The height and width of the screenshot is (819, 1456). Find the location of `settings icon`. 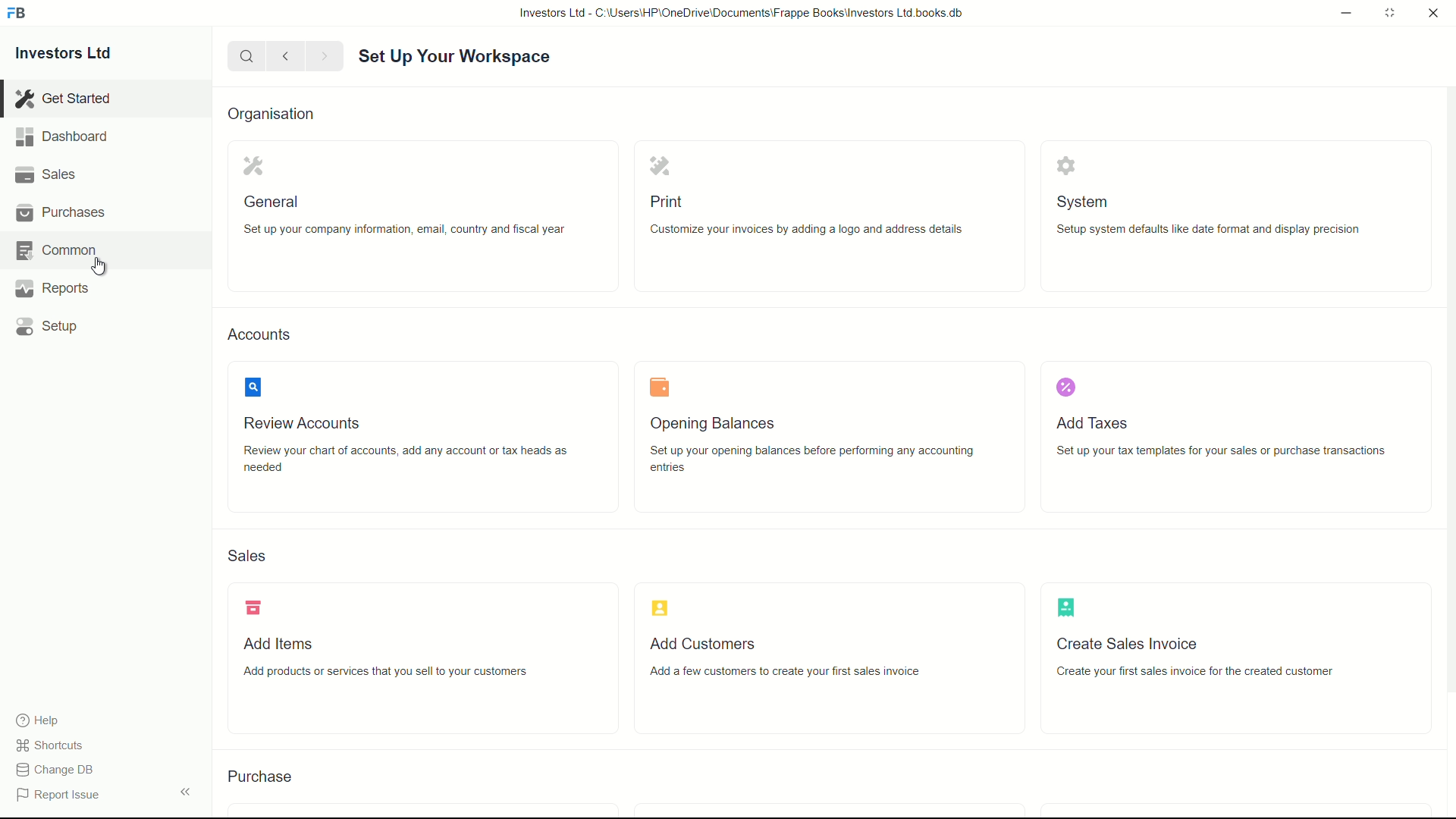

settings icon is located at coordinates (1064, 164).